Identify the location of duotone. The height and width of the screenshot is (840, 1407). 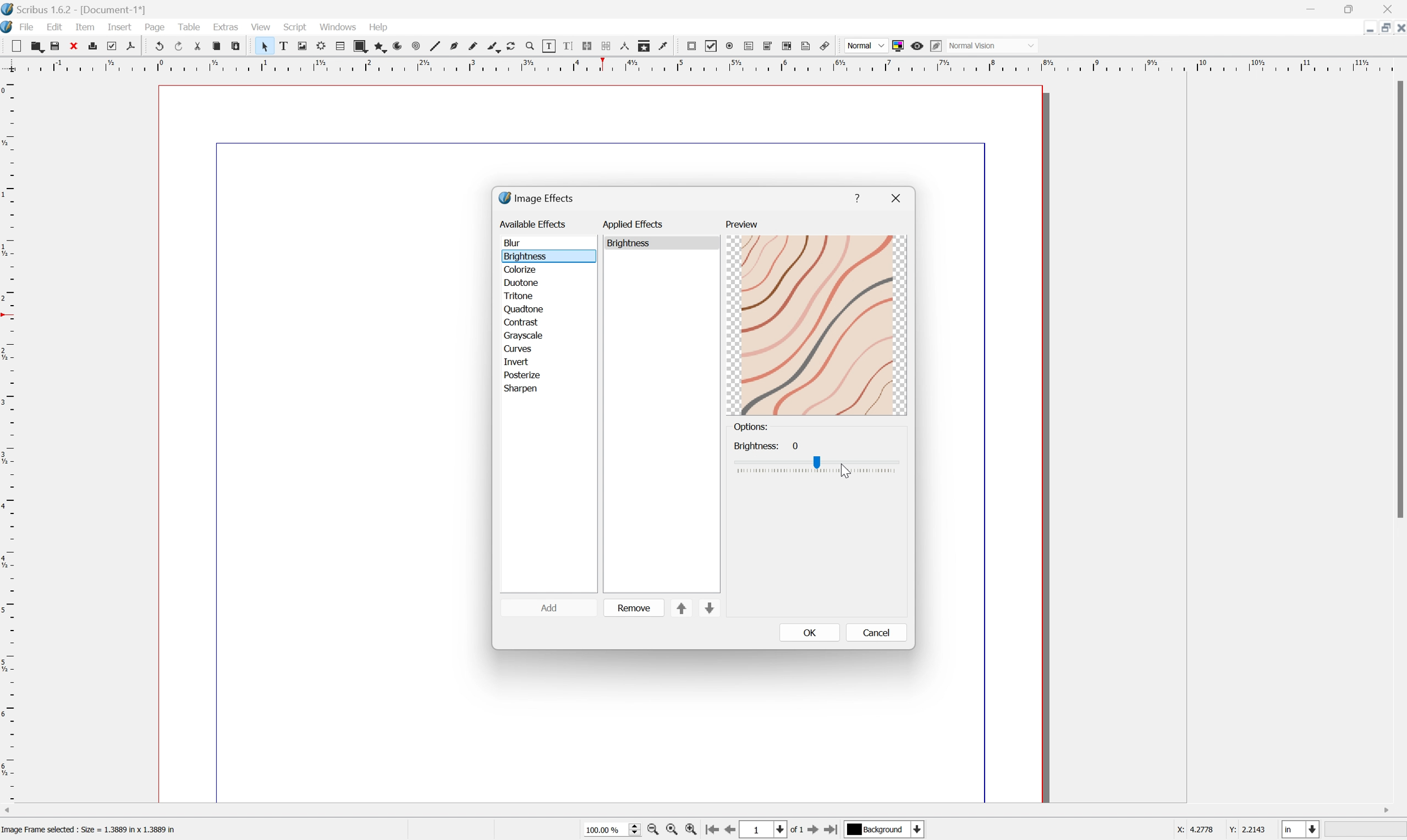
(521, 282).